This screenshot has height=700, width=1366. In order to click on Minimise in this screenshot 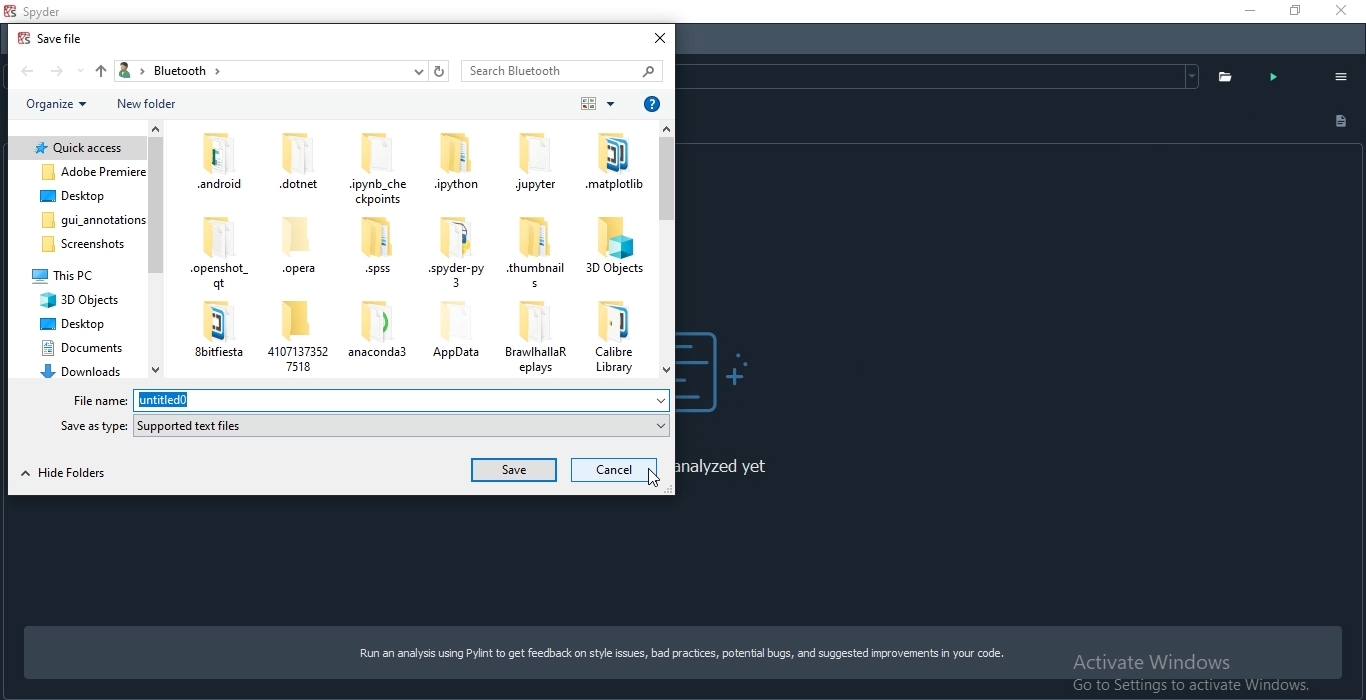, I will do `click(1242, 12)`.